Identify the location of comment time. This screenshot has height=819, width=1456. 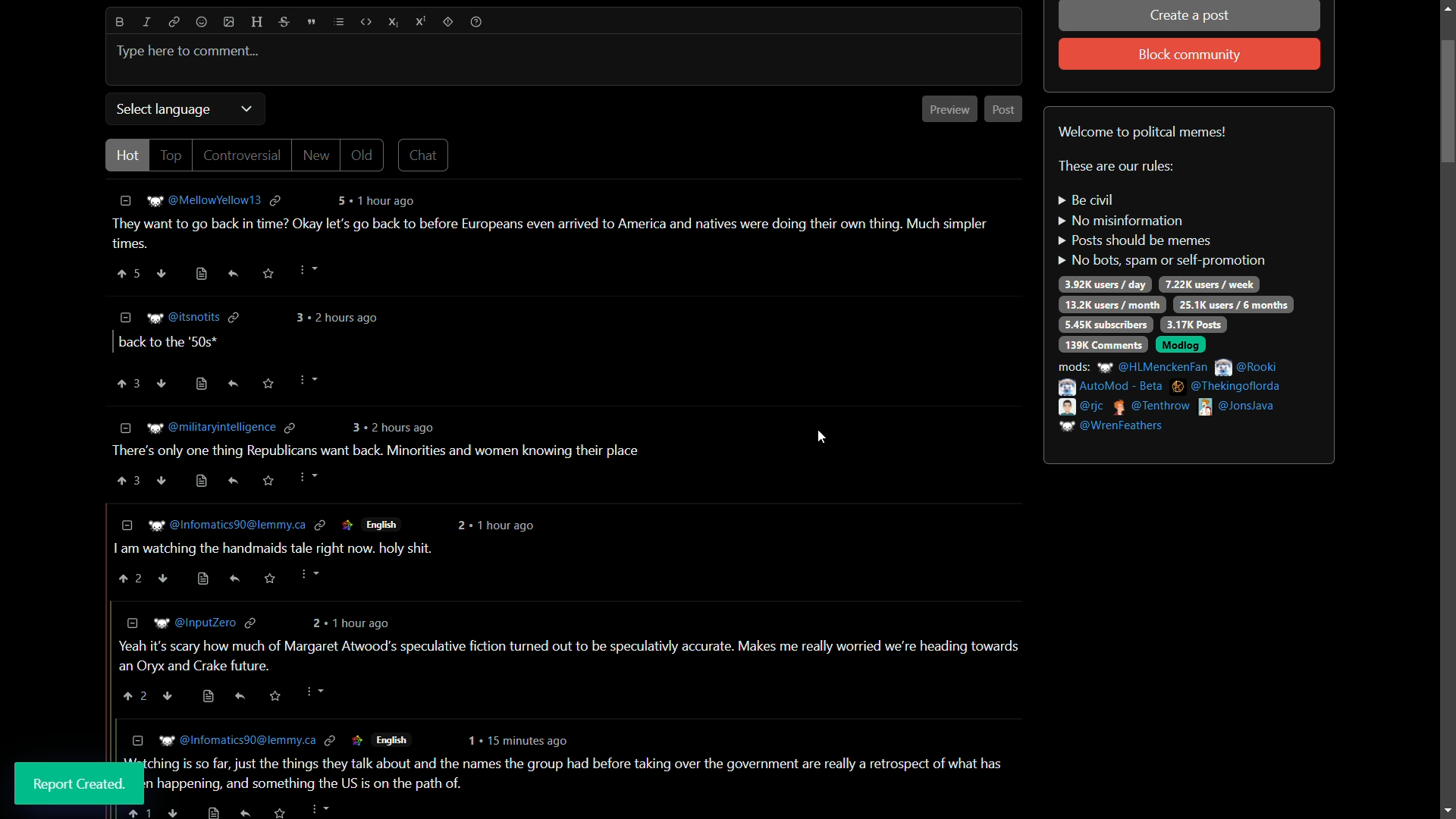
(340, 318).